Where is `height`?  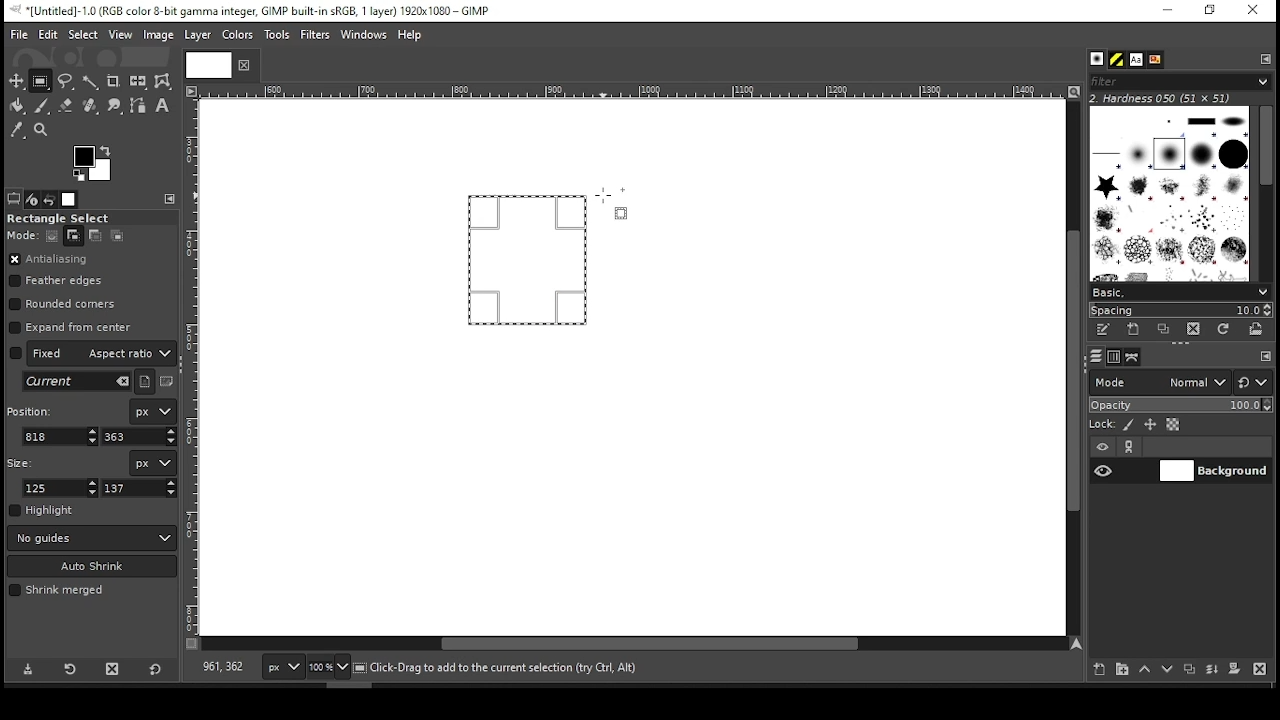
height is located at coordinates (140, 488).